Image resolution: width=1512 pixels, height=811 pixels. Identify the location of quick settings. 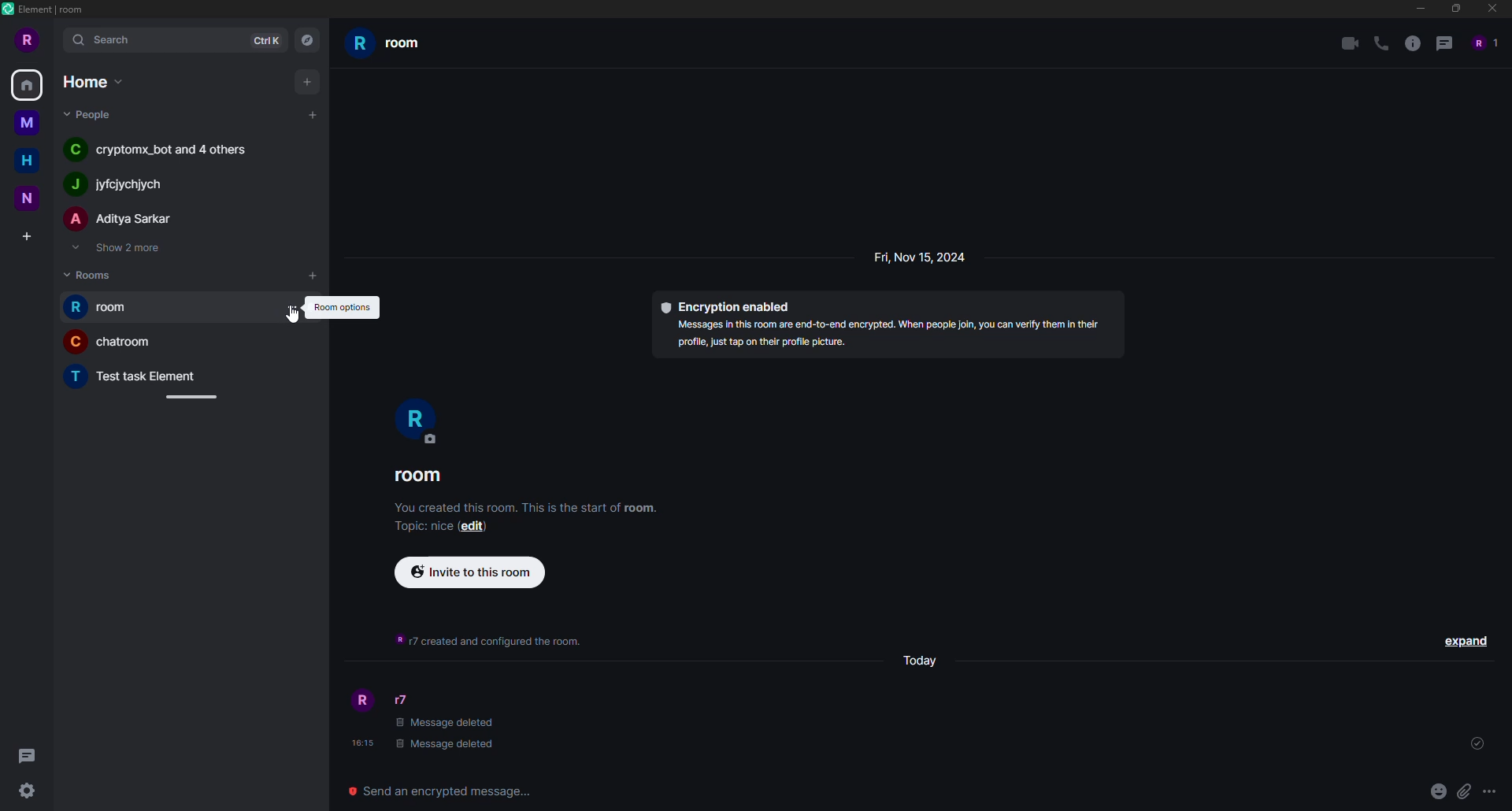
(27, 792).